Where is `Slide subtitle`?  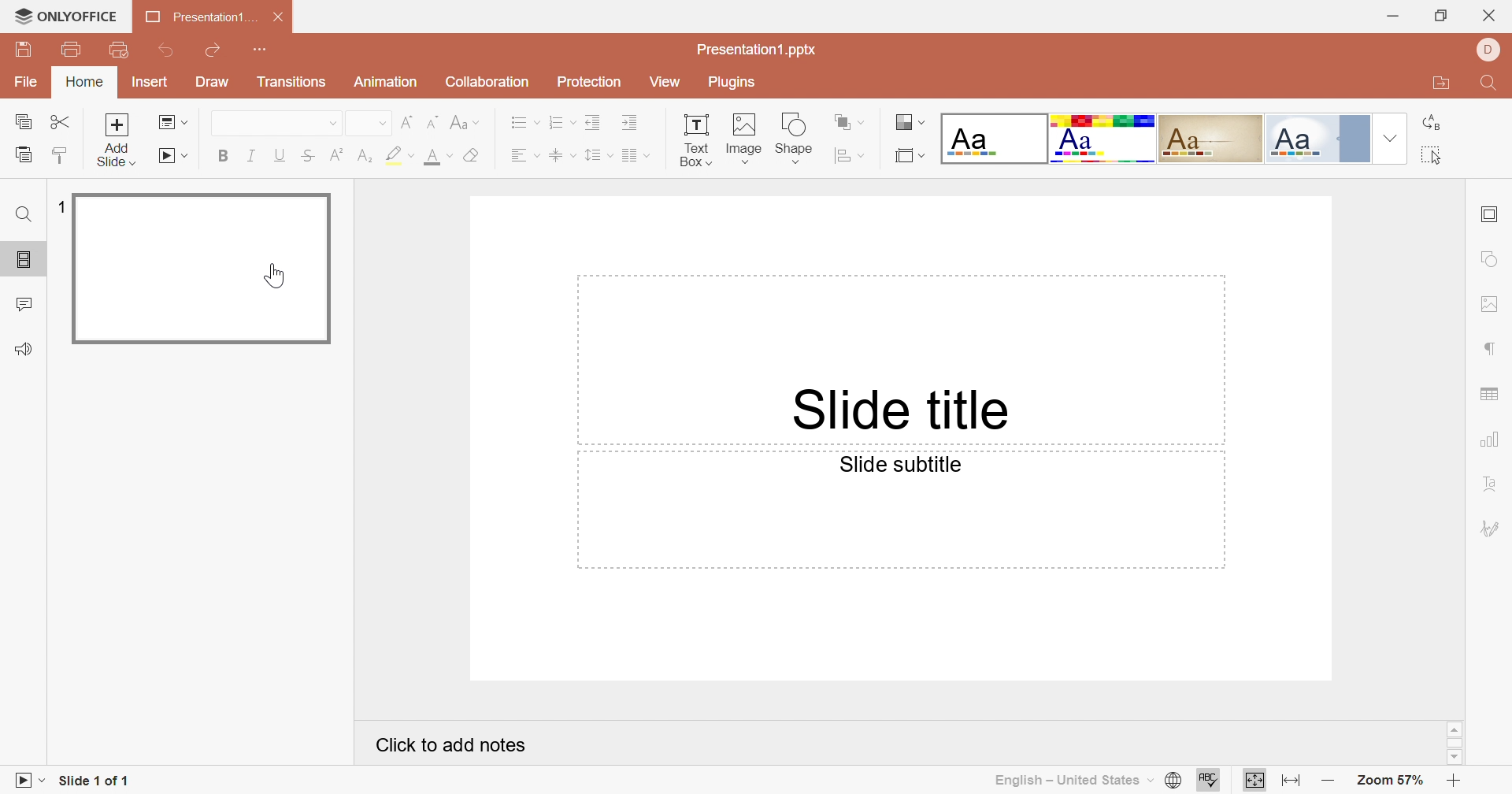 Slide subtitle is located at coordinates (898, 466).